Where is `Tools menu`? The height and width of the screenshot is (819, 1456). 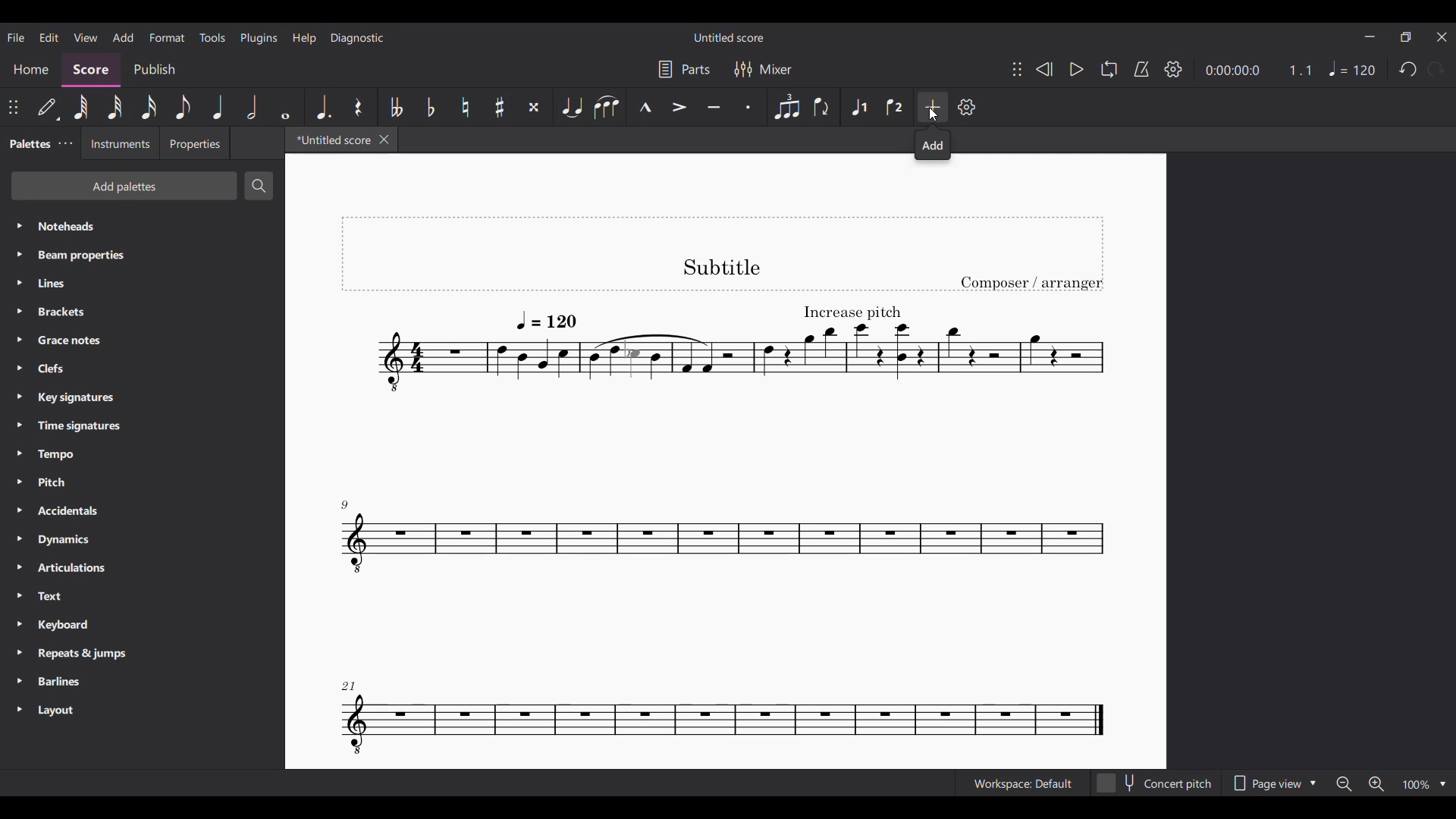 Tools menu is located at coordinates (212, 37).